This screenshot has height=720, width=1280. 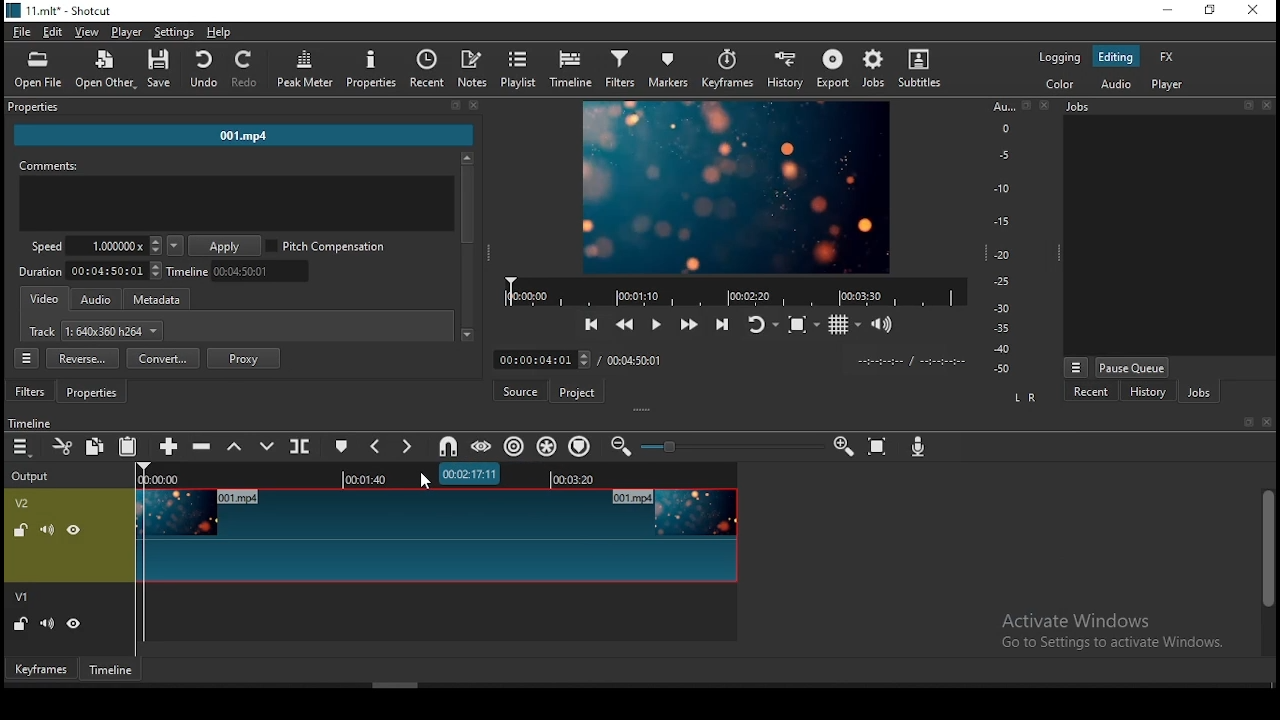 I want to click on player, so click(x=1172, y=86).